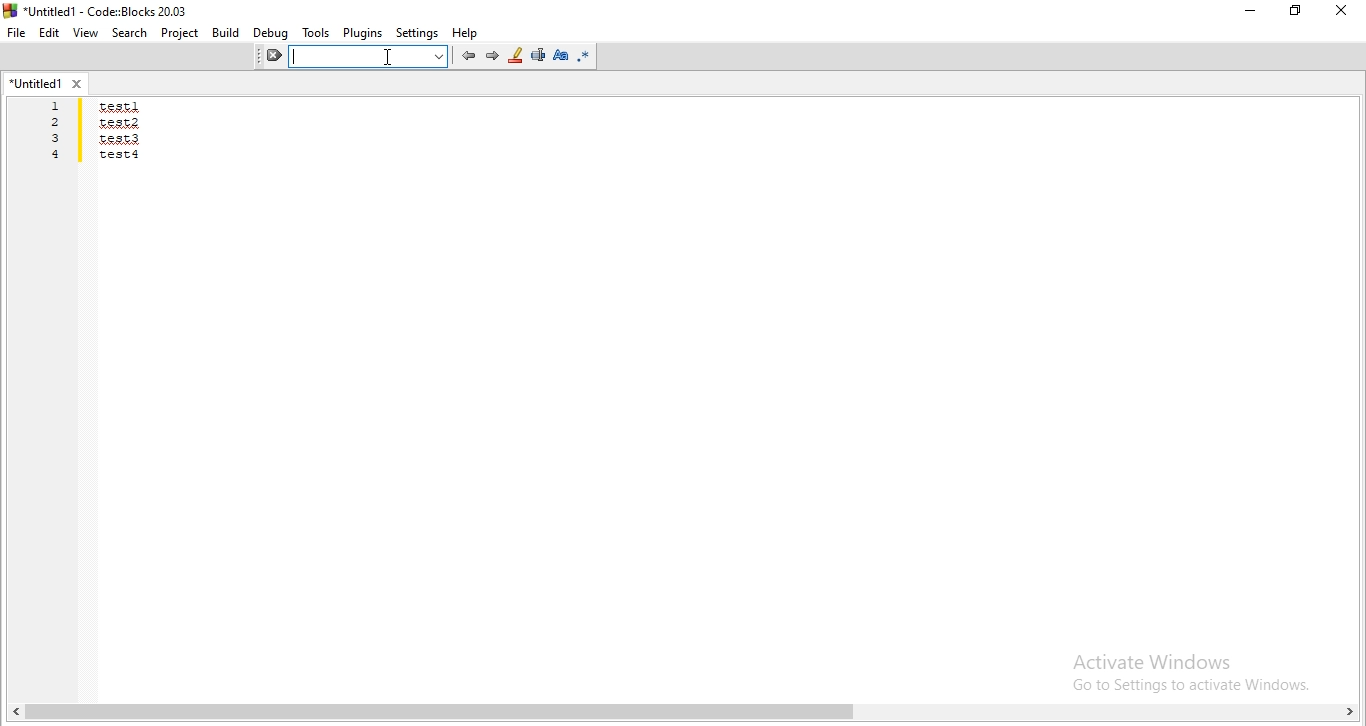 Image resolution: width=1366 pixels, height=726 pixels. Describe the element at coordinates (369, 56) in the screenshot. I see `search highlighted` at that location.